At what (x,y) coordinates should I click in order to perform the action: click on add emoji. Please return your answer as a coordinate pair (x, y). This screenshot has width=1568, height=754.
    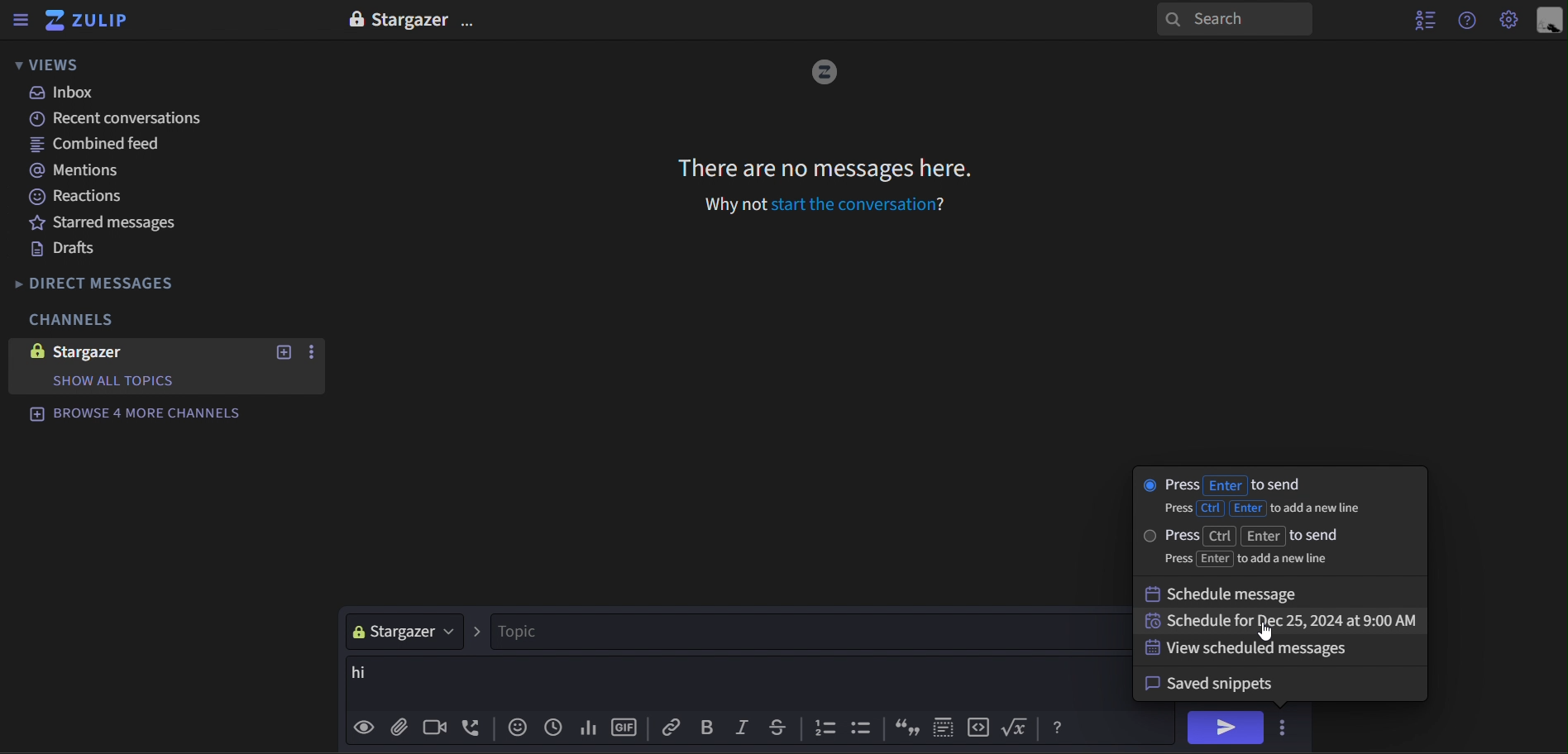
    Looking at the image, I should click on (515, 728).